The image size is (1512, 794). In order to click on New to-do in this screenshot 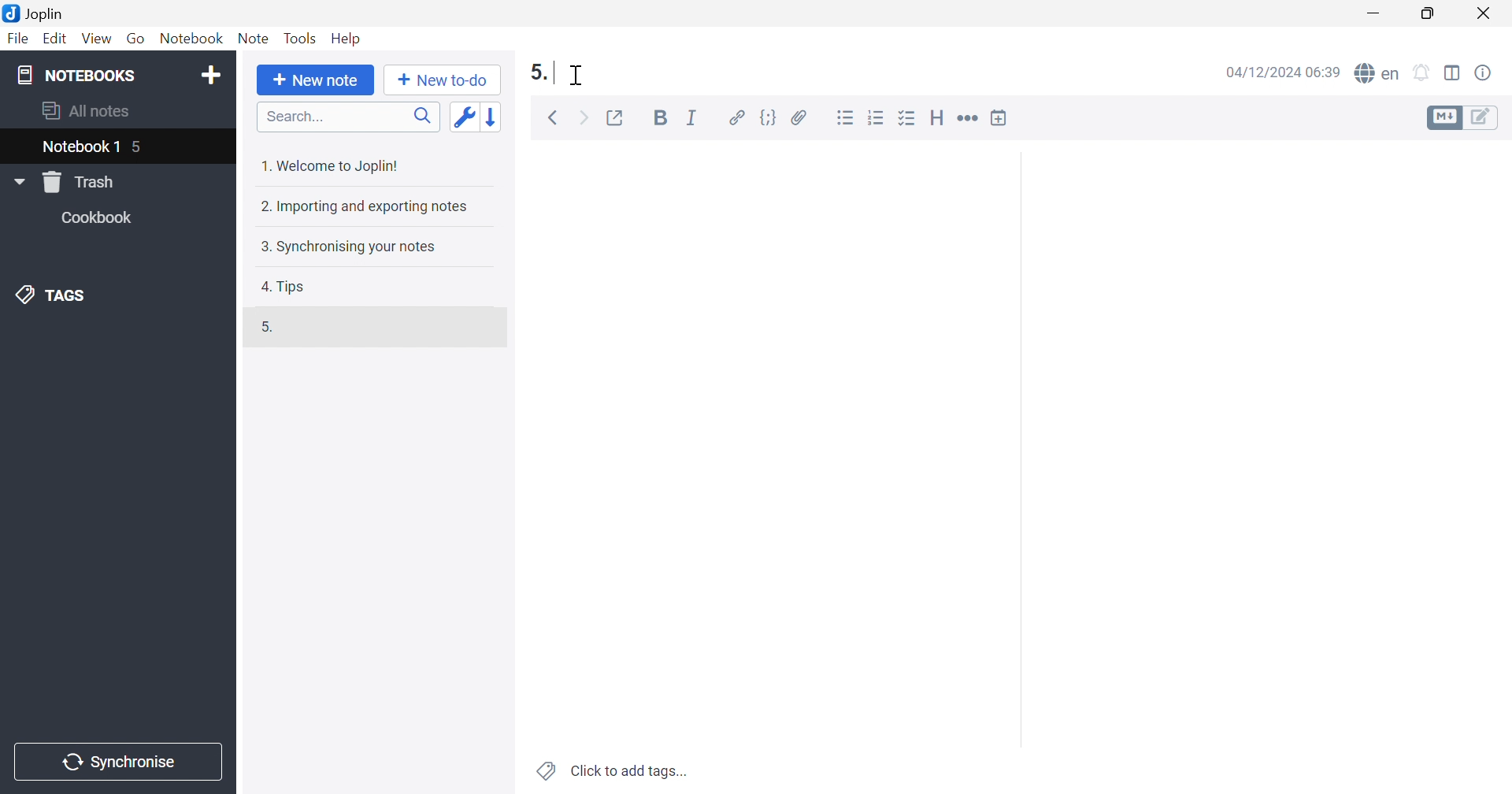, I will do `click(443, 80)`.